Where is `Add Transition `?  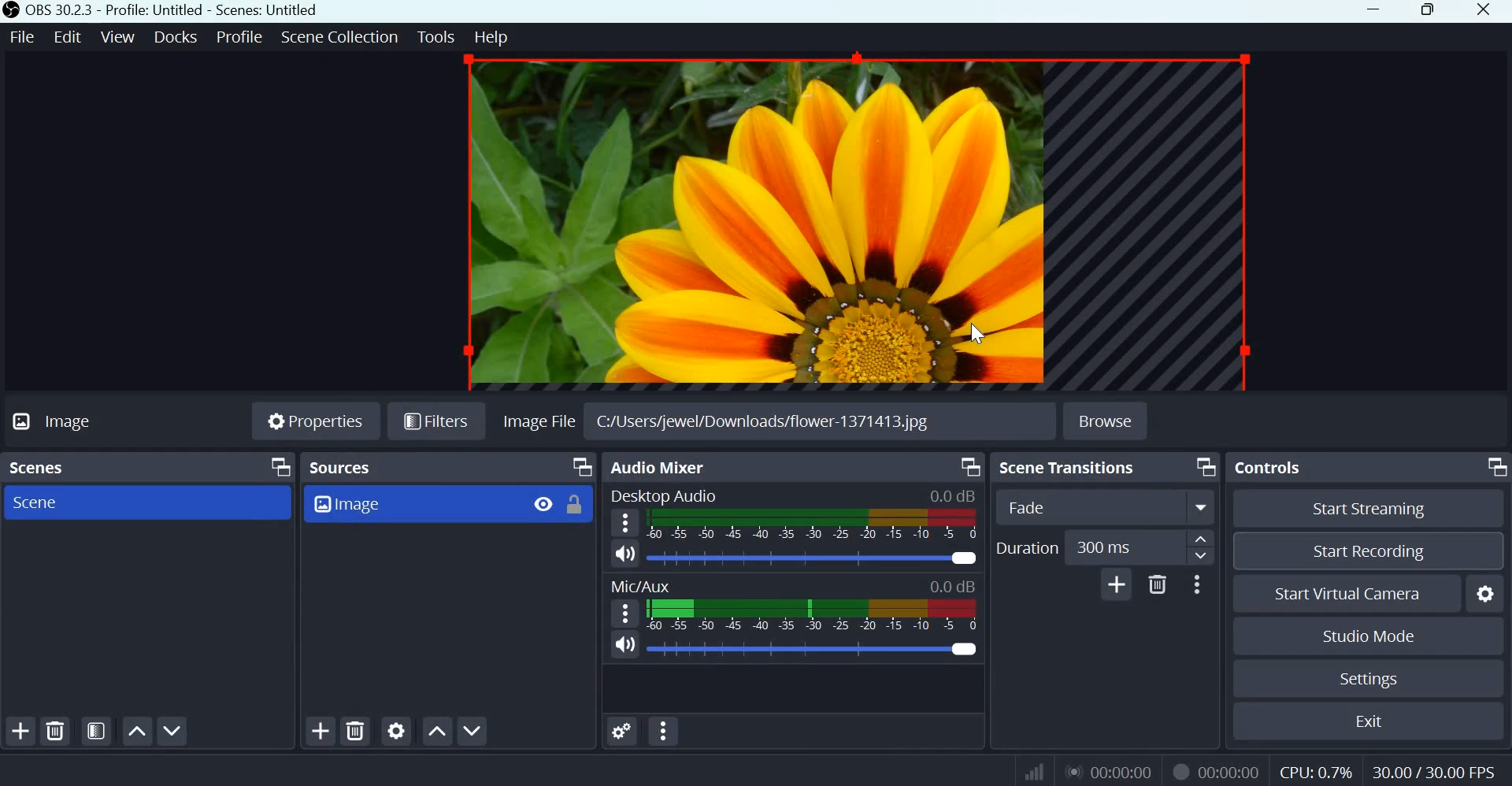 Add Transition  is located at coordinates (1117, 584).